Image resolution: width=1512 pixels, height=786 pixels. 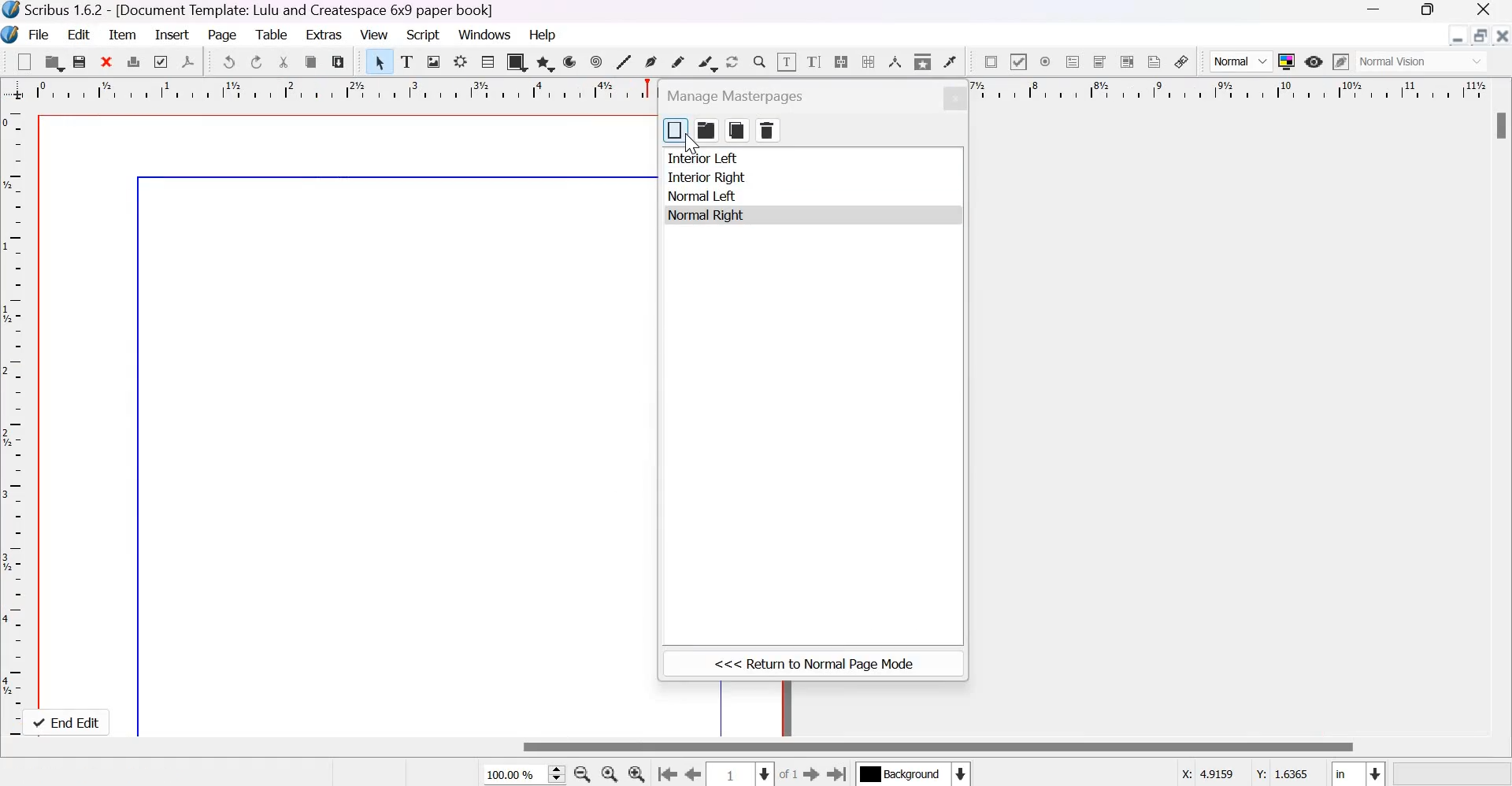 I want to click on Render frame, so click(x=460, y=62).